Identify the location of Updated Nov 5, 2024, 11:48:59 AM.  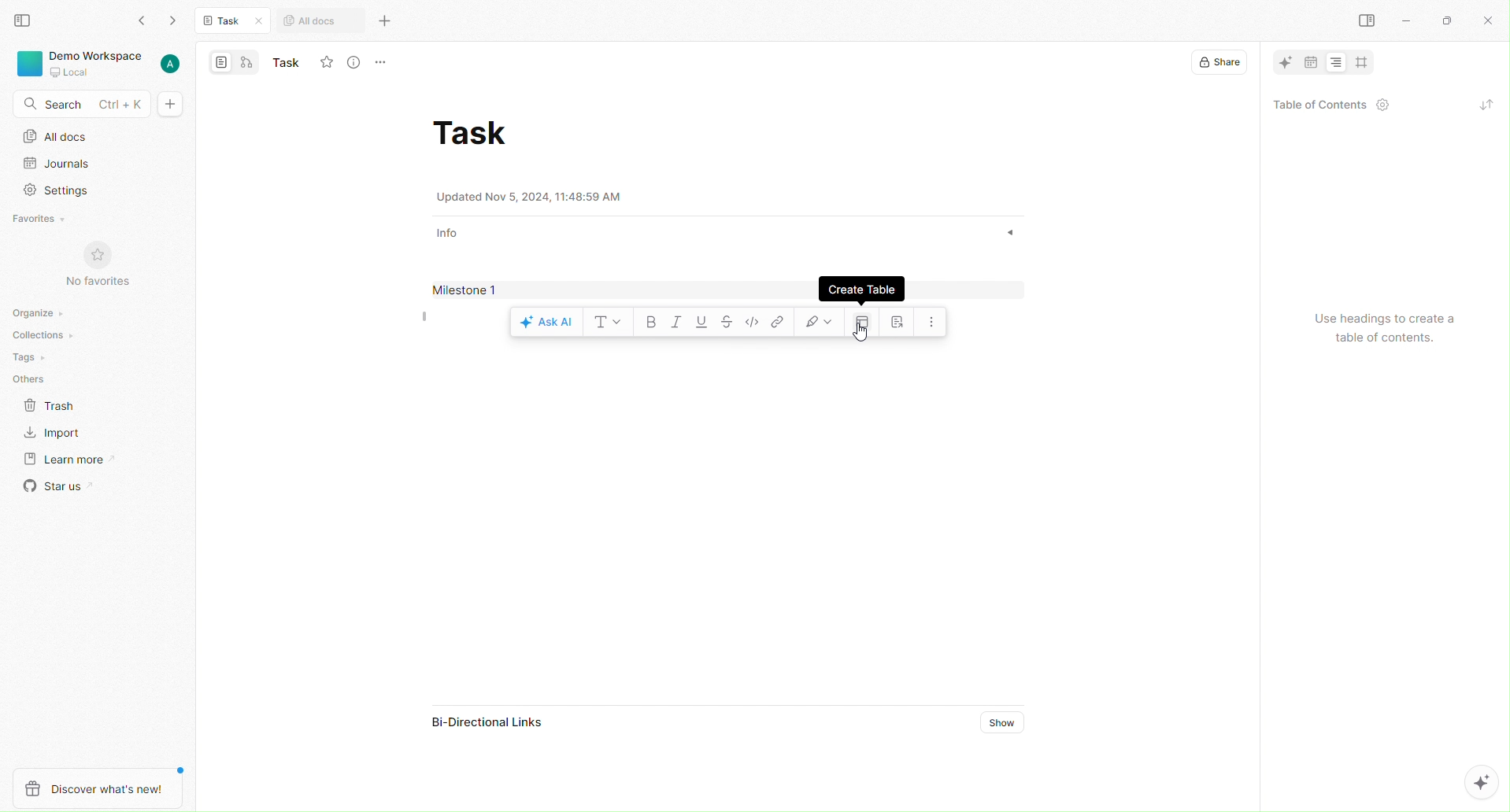
(539, 197).